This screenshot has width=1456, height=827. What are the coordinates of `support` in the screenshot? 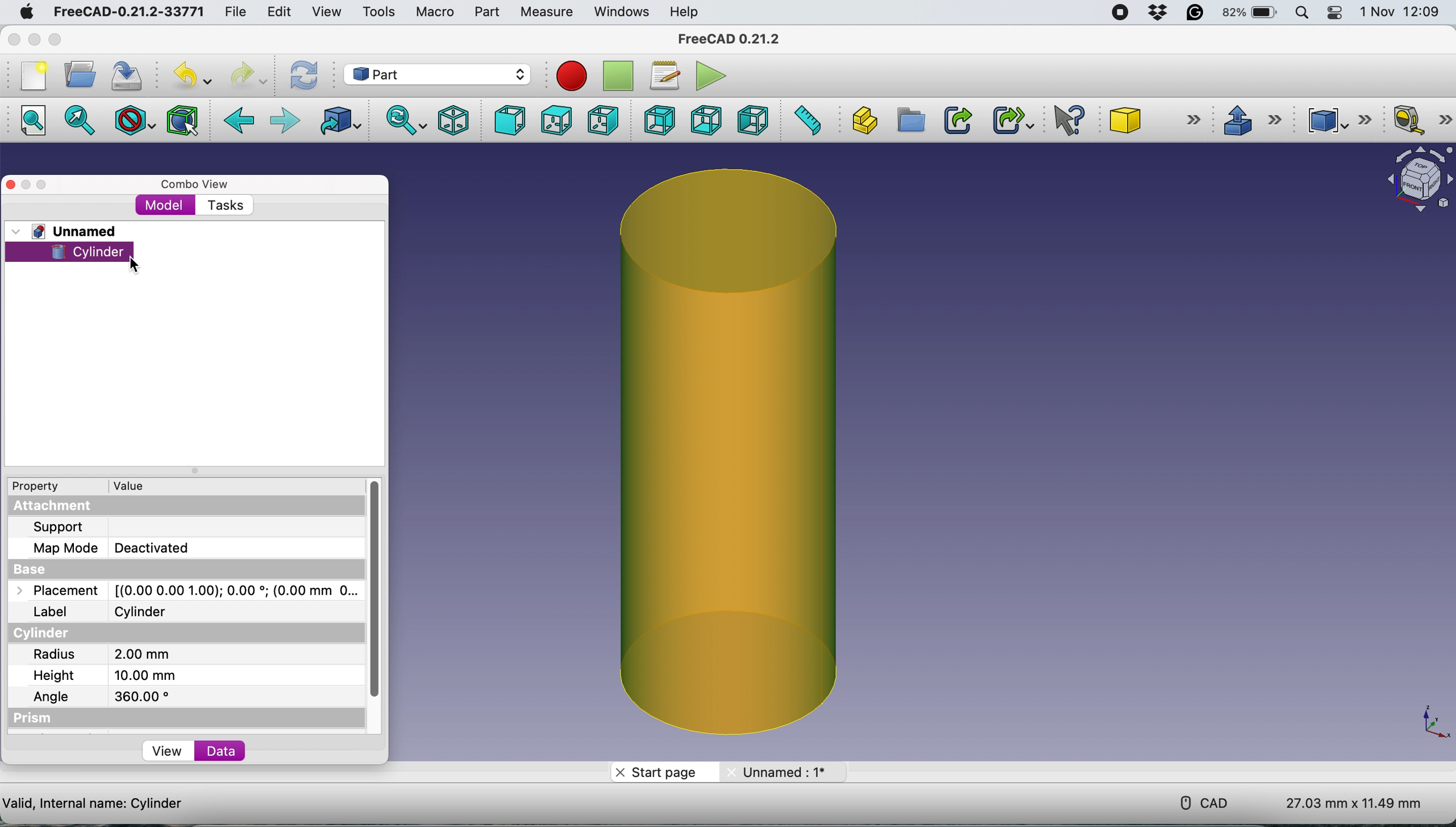 It's located at (56, 527).